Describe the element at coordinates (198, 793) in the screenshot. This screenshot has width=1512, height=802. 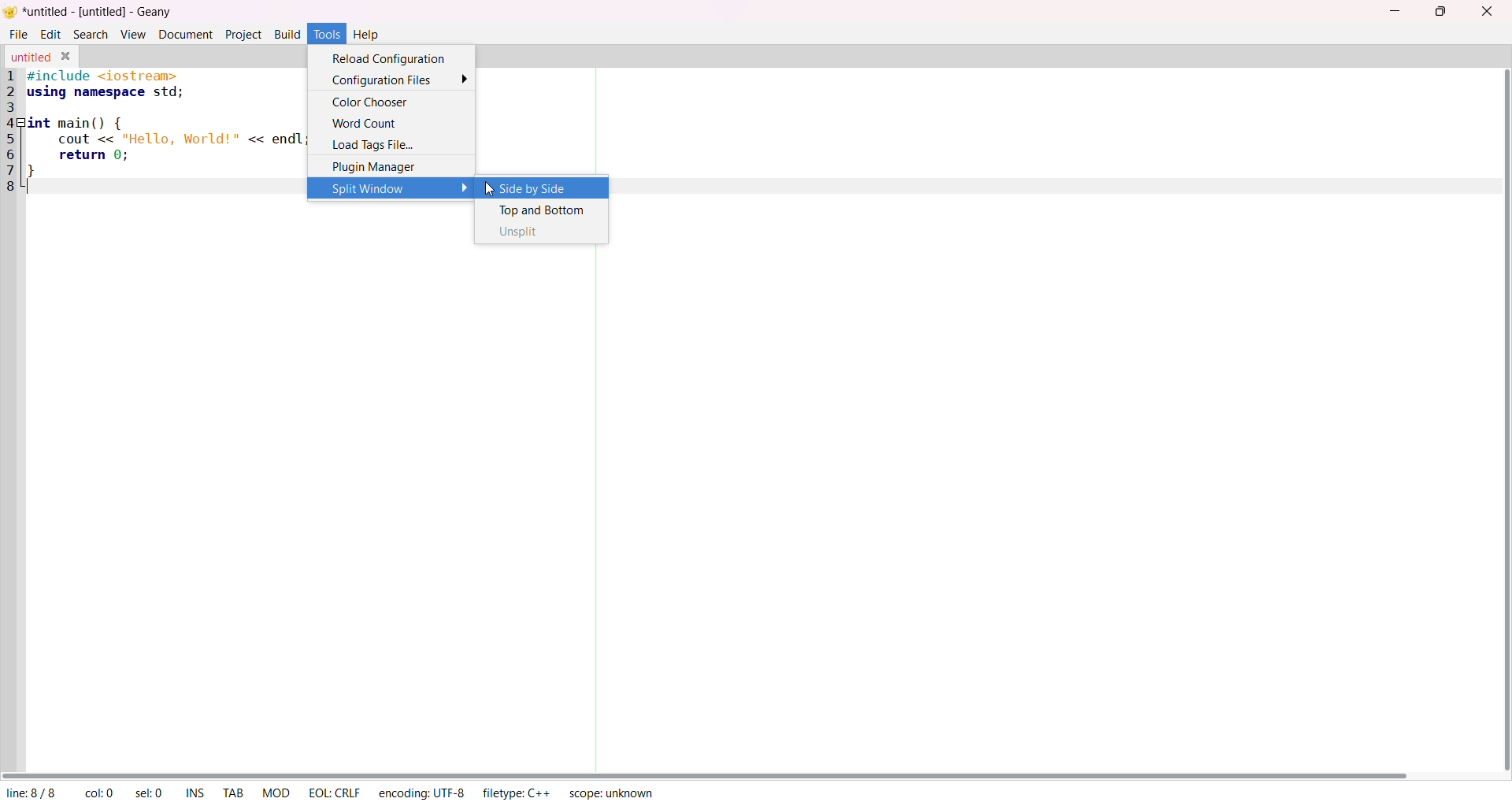
I see `INS` at that location.